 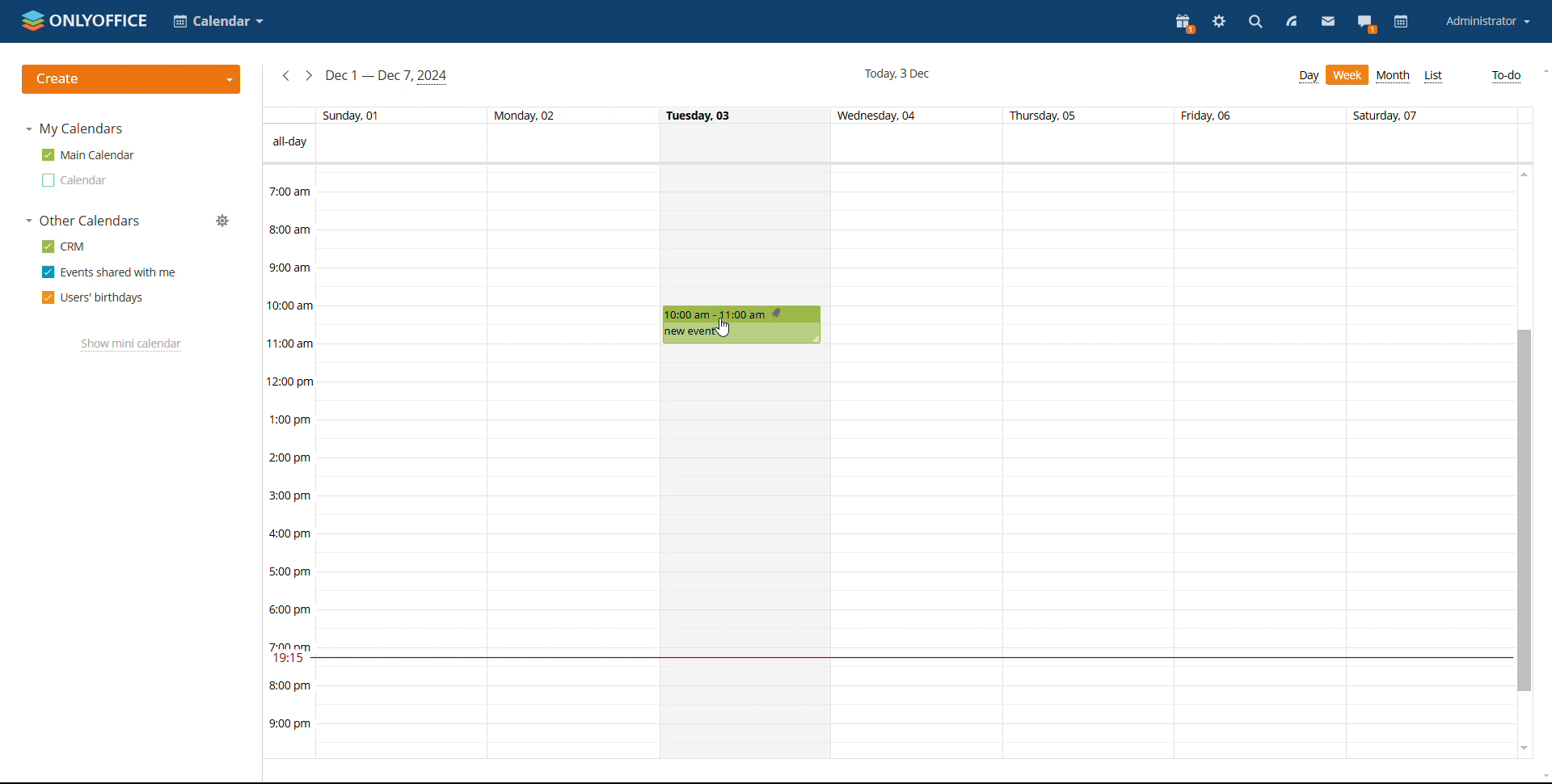 I want to click on 7:00 am, so click(x=289, y=191).